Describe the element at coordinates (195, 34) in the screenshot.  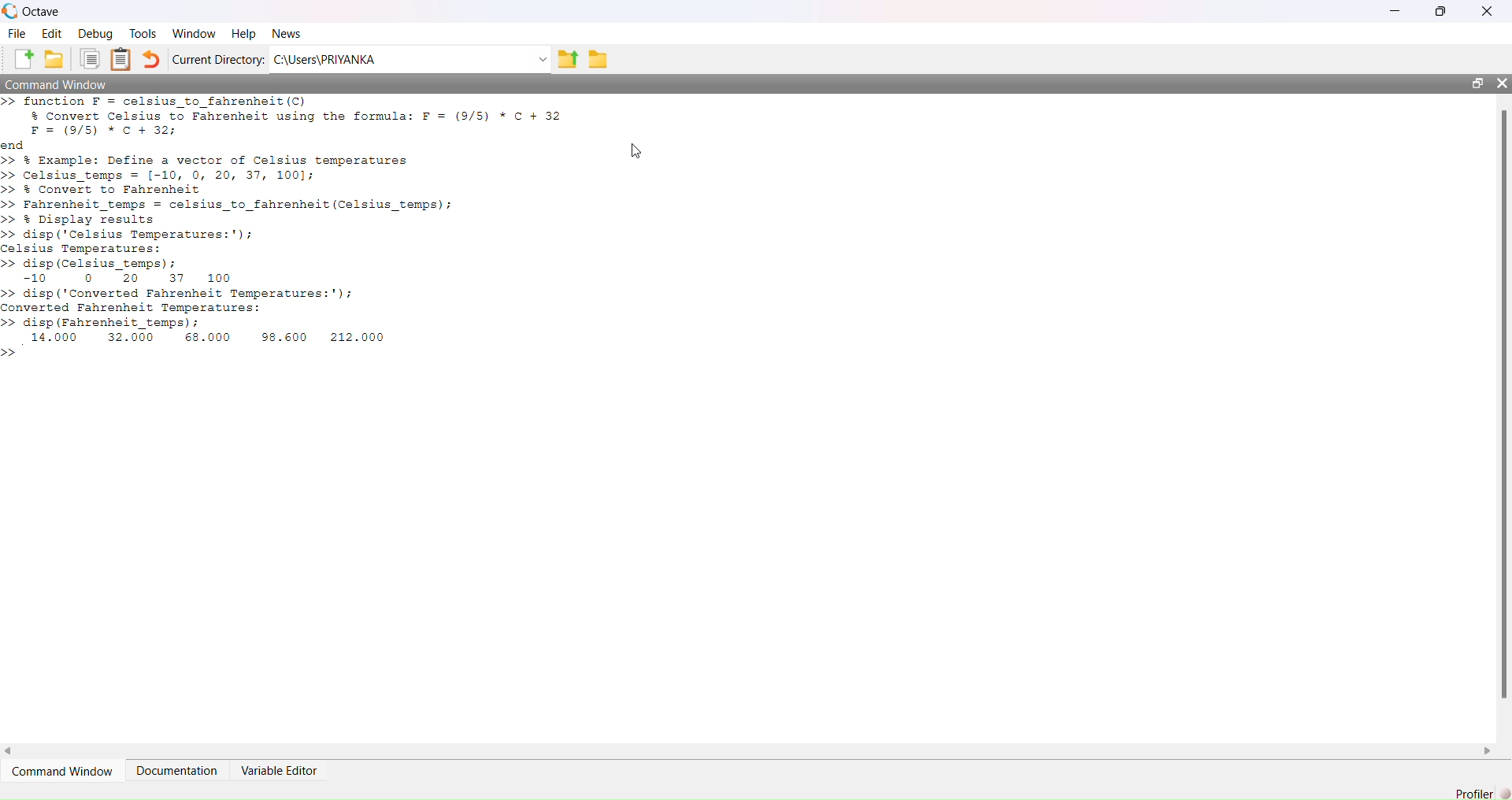
I see `Window` at that location.